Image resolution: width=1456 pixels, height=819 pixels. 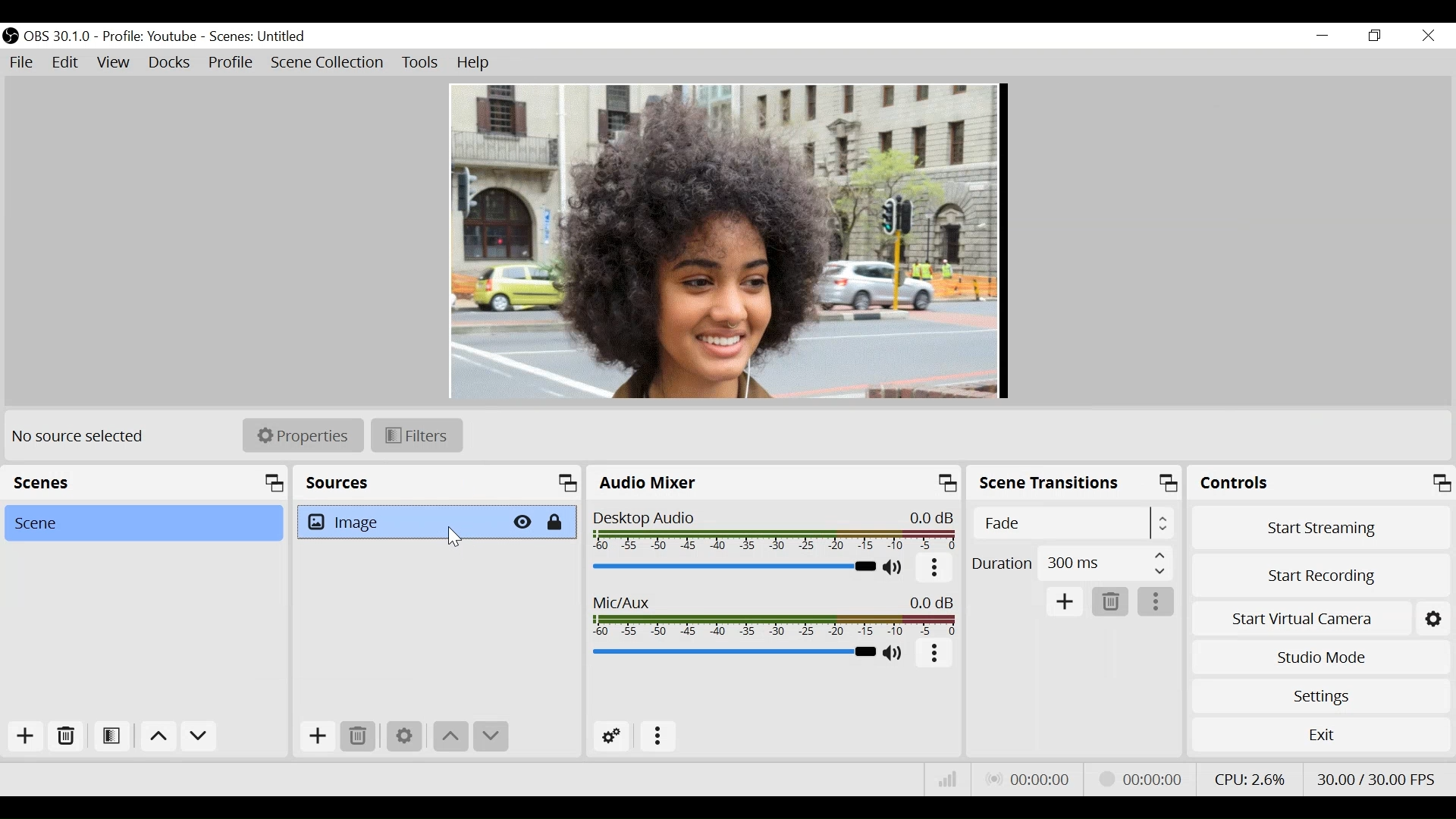 What do you see at coordinates (525, 522) in the screenshot?
I see `Hide` at bounding box center [525, 522].